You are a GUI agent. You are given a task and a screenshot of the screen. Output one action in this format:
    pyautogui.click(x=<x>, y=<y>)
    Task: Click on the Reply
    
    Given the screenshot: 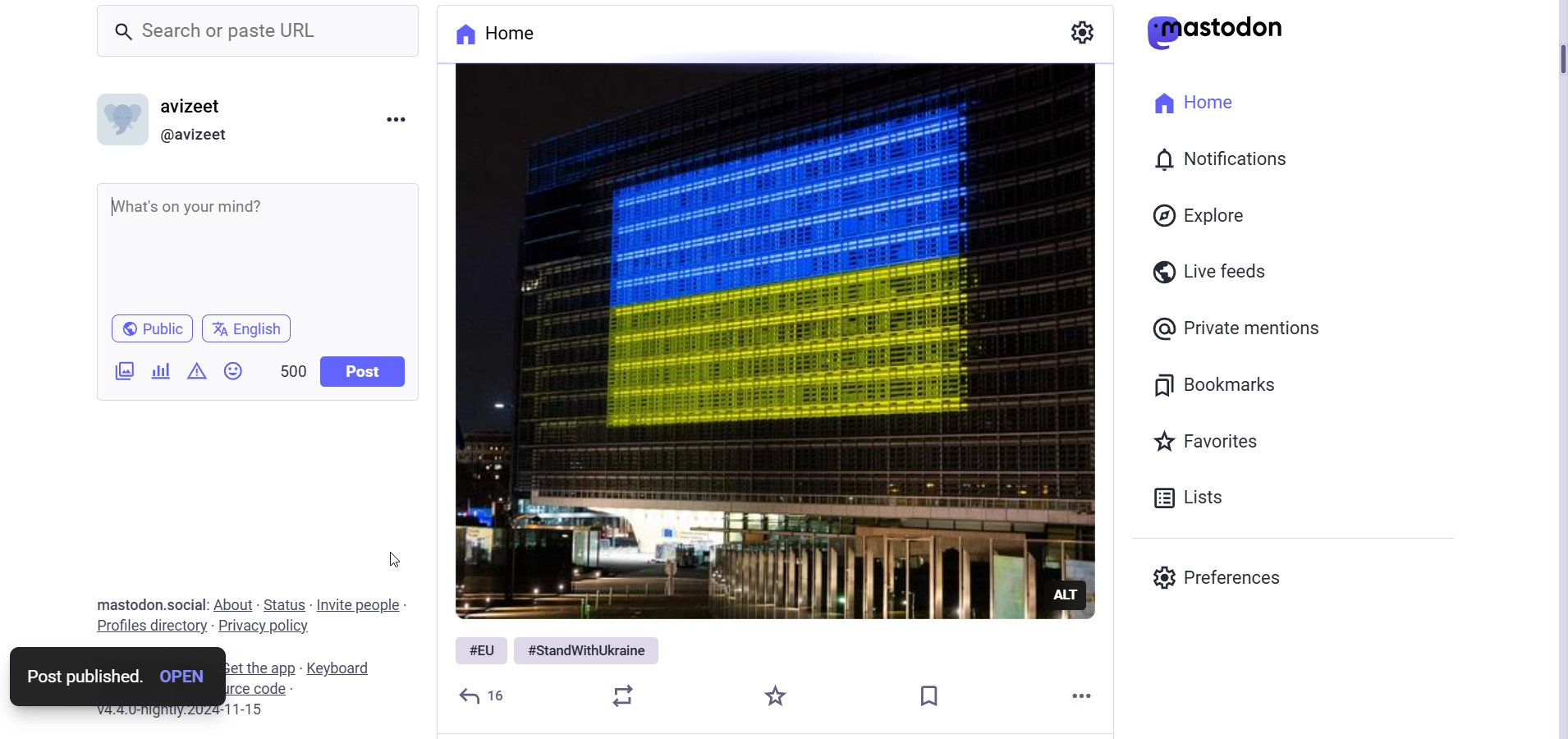 What is the action you would take?
    pyautogui.click(x=364, y=369)
    